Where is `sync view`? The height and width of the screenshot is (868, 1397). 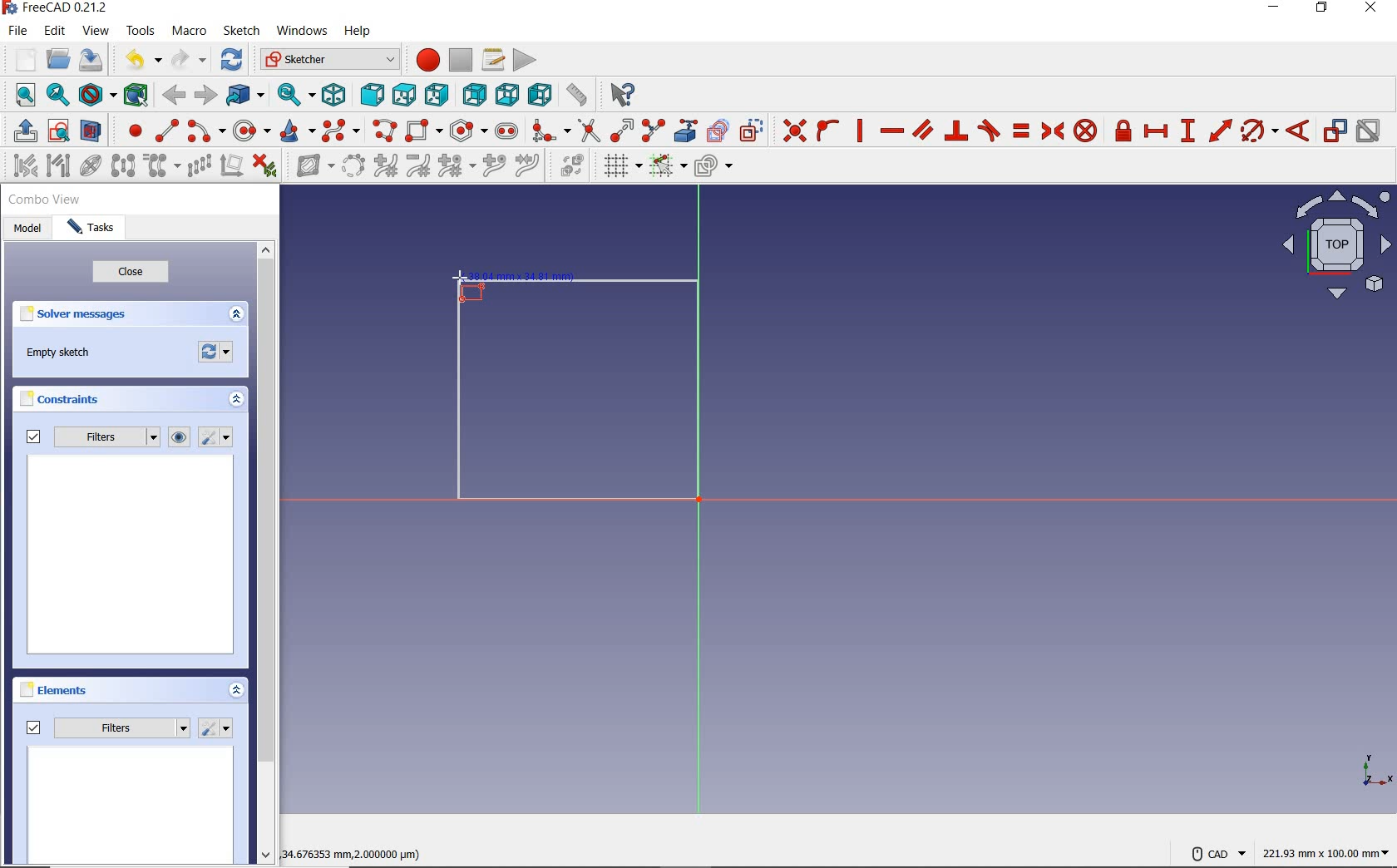
sync view is located at coordinates (294, 93).